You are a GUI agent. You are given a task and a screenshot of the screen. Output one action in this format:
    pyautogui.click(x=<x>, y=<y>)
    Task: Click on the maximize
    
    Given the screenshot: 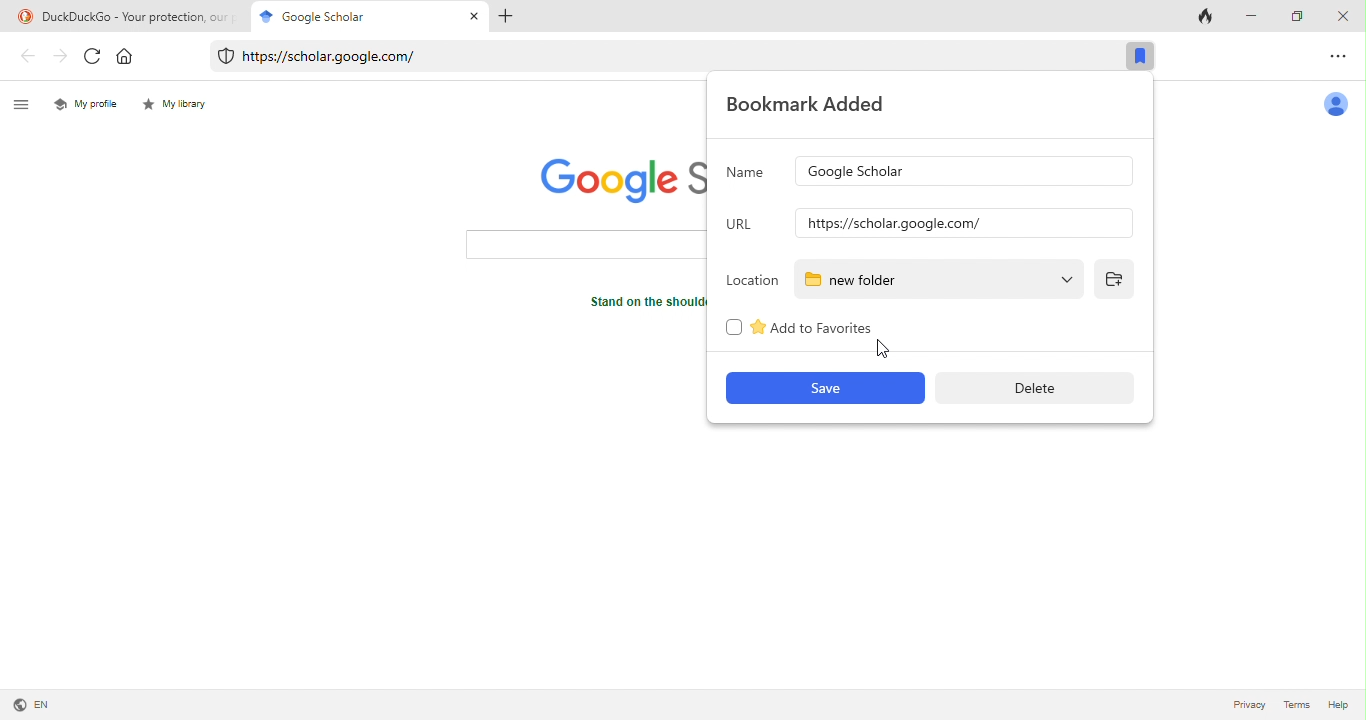 What is the action you would take?
    pyautogui.click(x=1301, y=15)
    